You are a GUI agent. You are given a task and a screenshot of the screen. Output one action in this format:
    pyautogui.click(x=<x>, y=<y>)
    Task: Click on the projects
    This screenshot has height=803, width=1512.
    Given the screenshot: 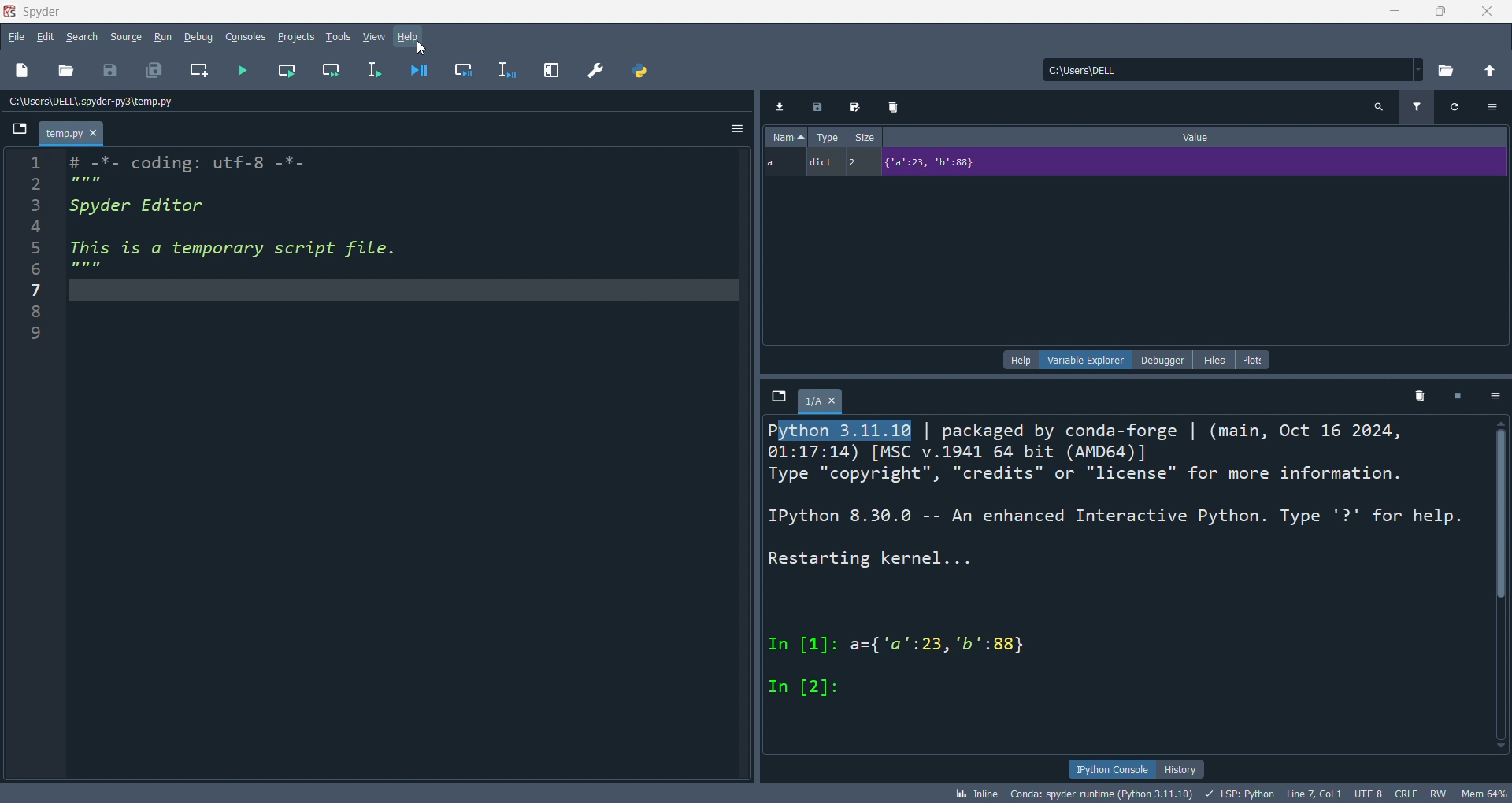 What is the action you would take?
    pyautogui.click(x=297, y=38)
    